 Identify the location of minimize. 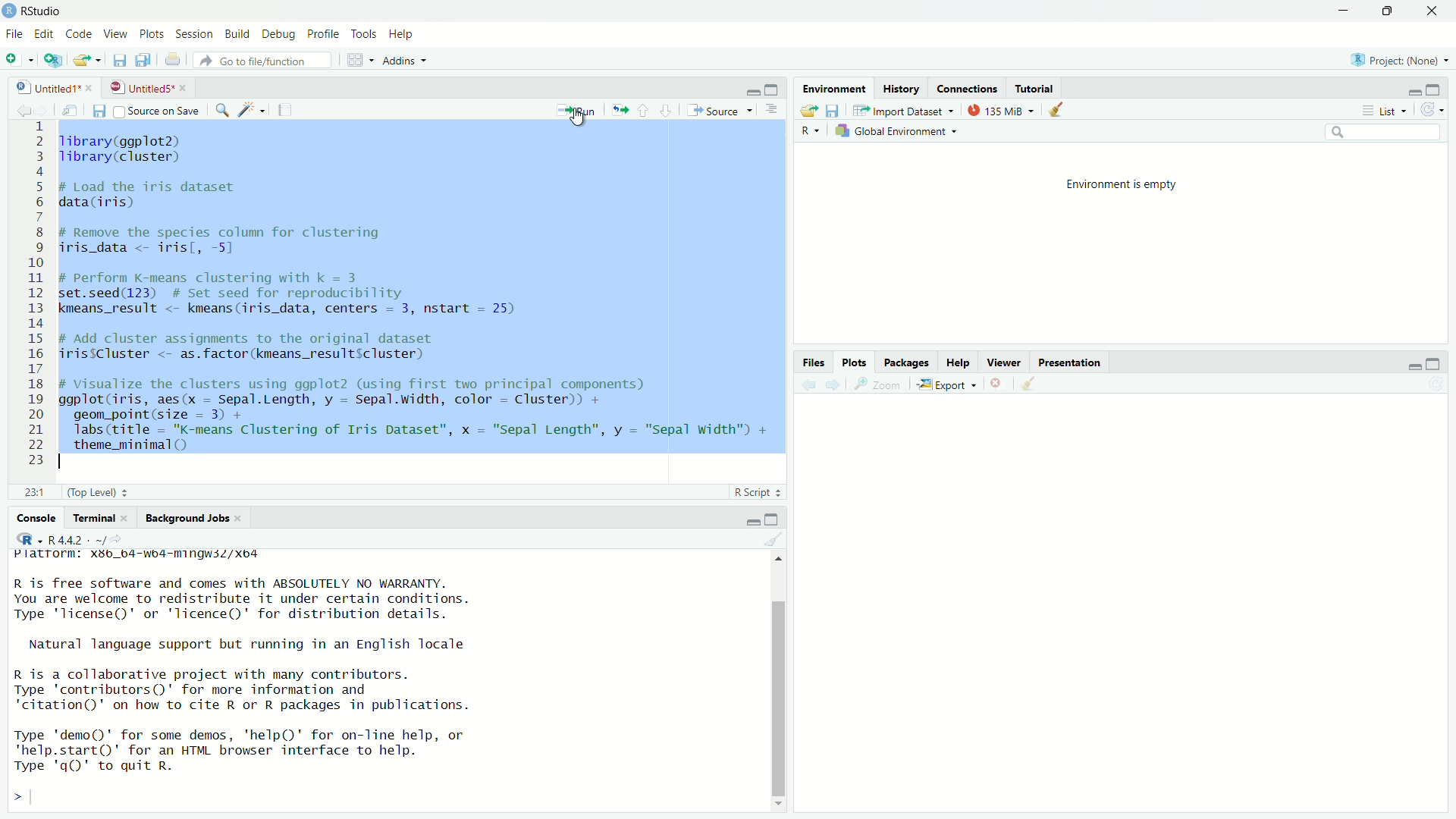
(1409, 91).